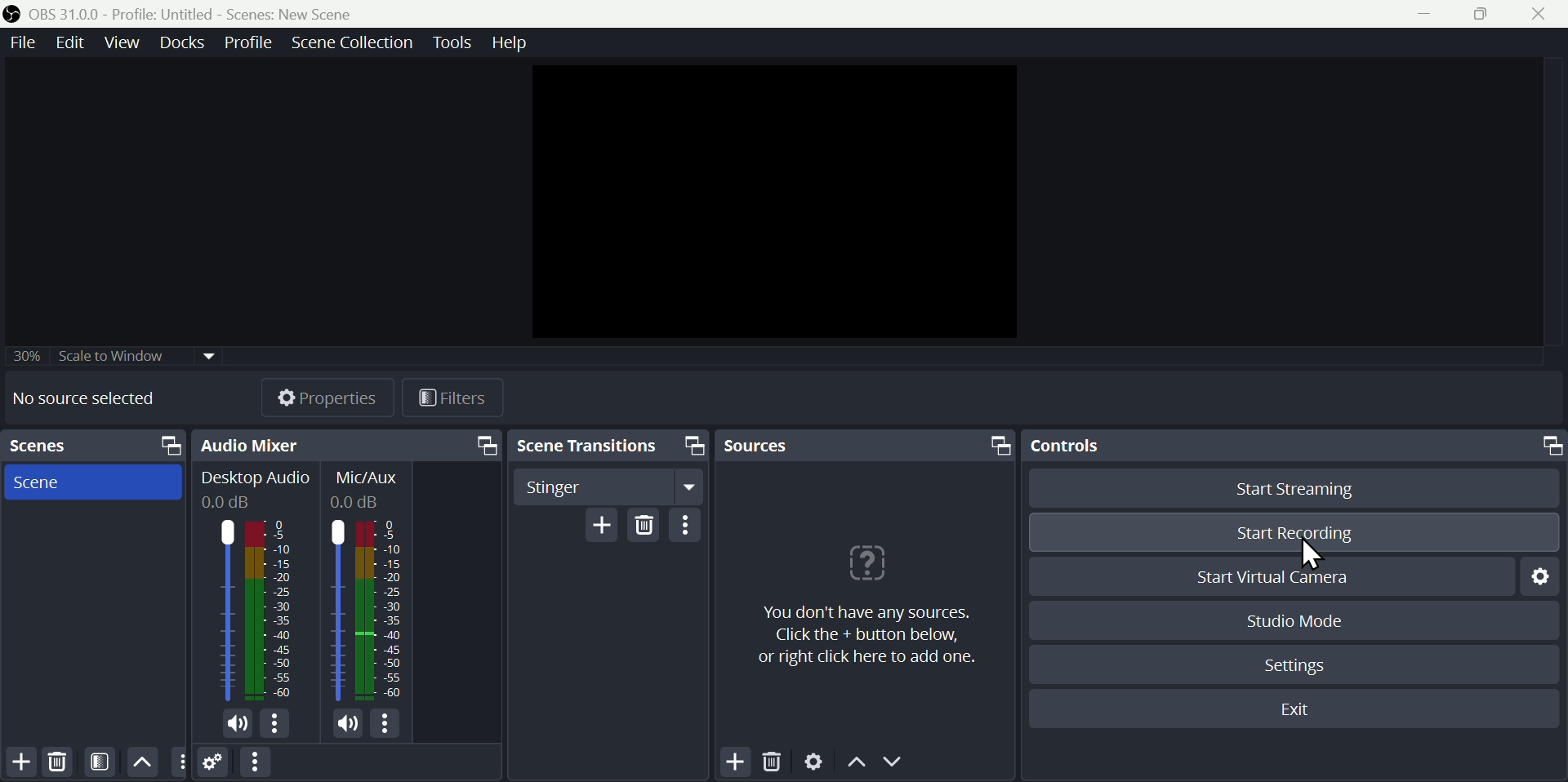 The height and width of the screenshot is (782, 1568). I want to click on Settings, so click(1298, 664).